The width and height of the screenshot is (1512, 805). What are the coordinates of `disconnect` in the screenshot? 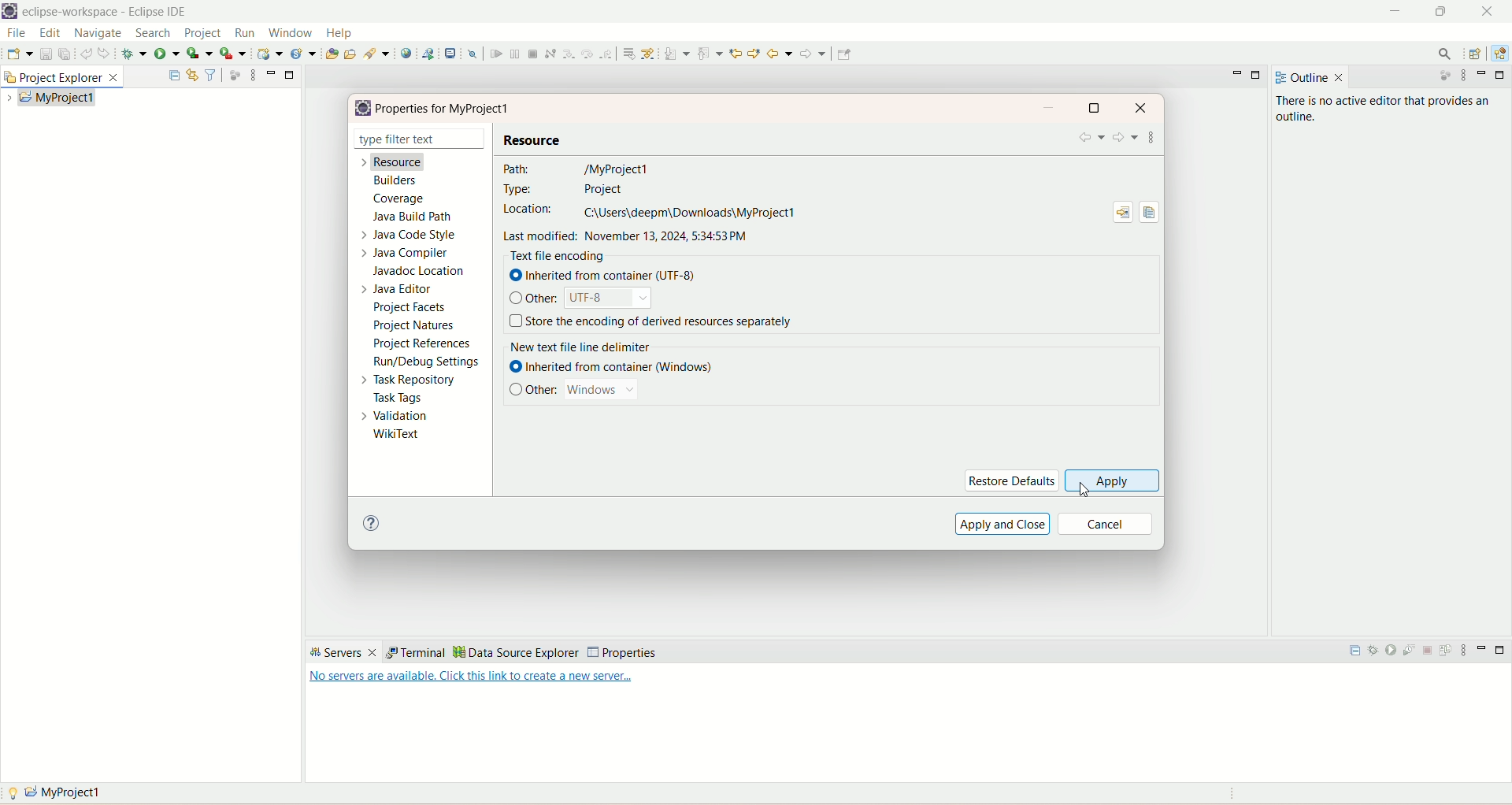 It's located at (550, 53).